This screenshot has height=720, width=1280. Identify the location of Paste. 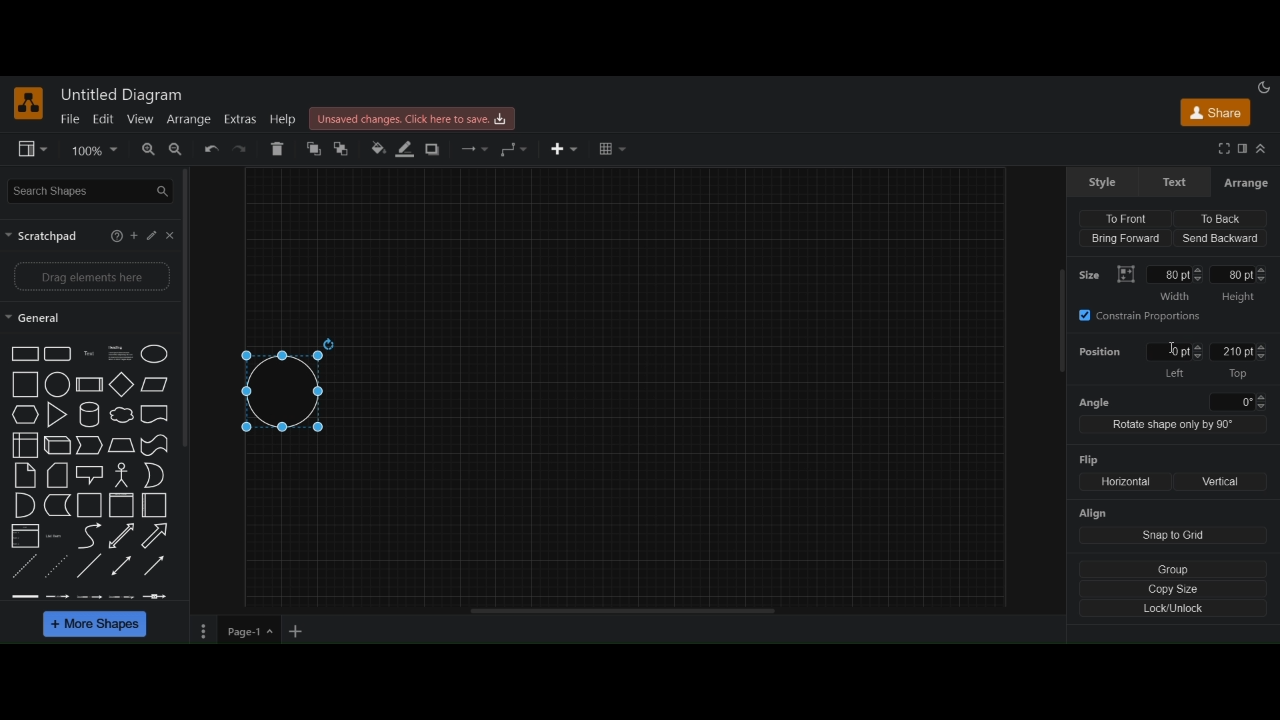
(58, 475).